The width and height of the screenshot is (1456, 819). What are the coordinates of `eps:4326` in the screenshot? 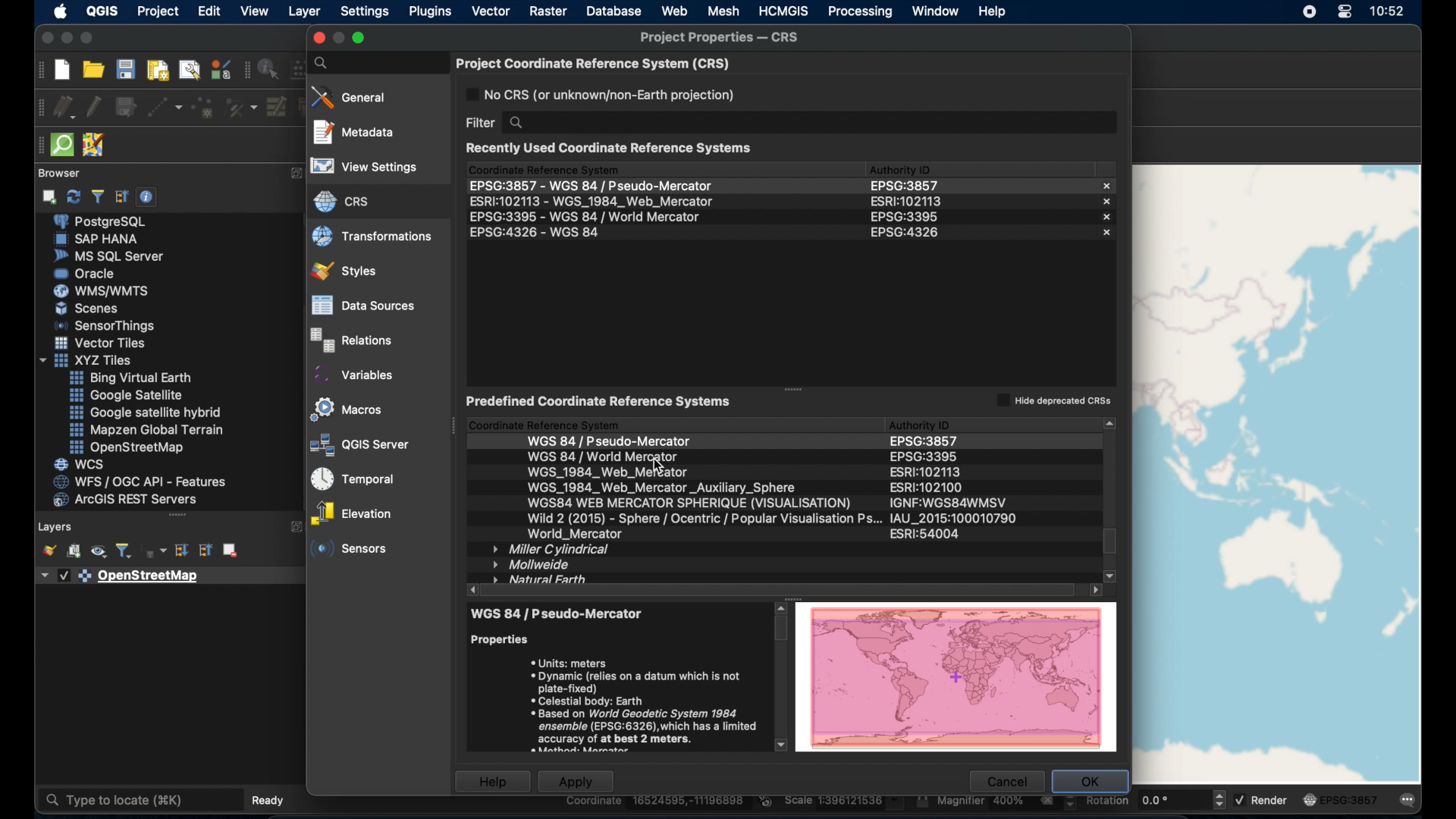 It's located at (908, 233).